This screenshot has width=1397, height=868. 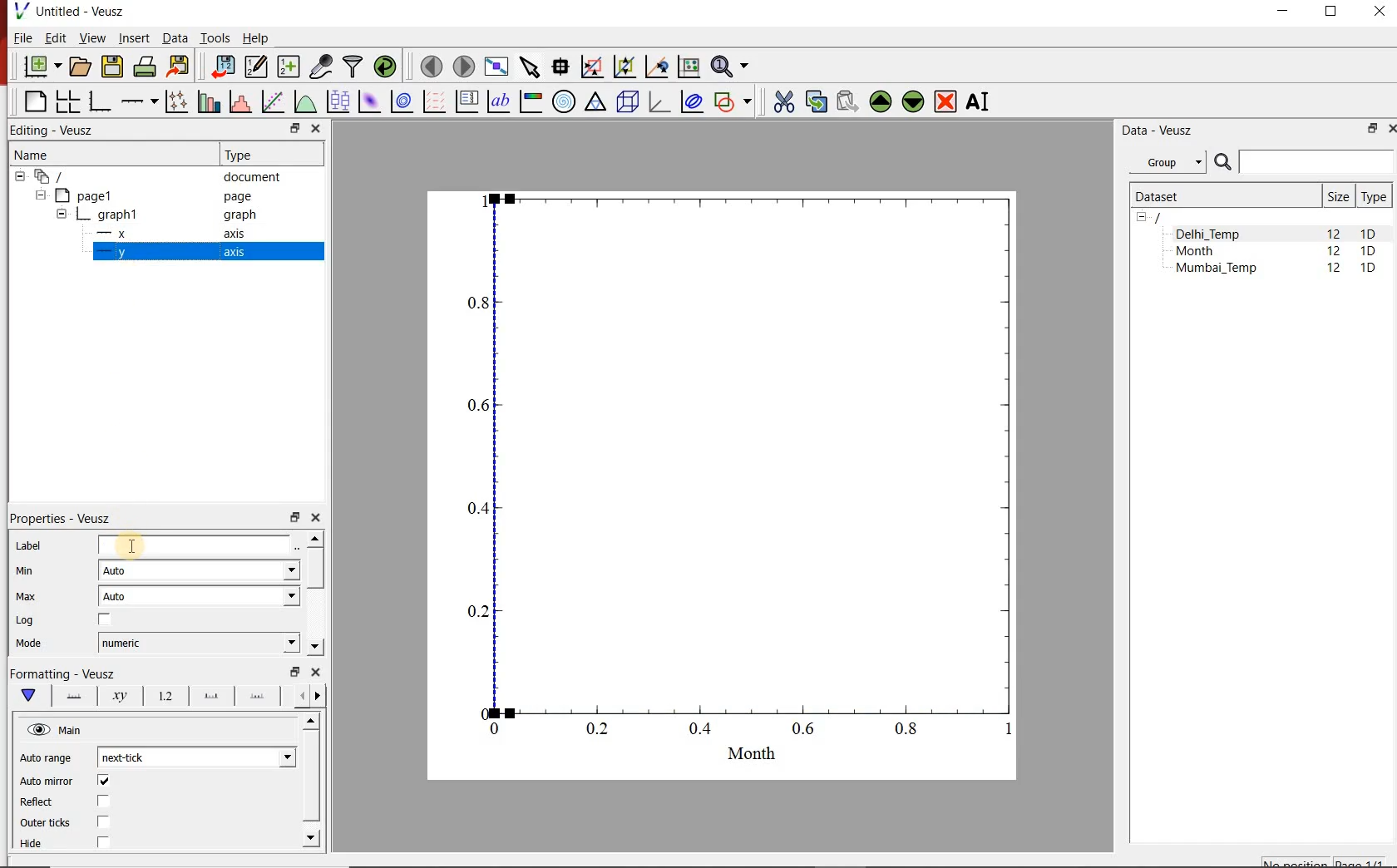 I want to click on Log, so click(x=26, y=620).